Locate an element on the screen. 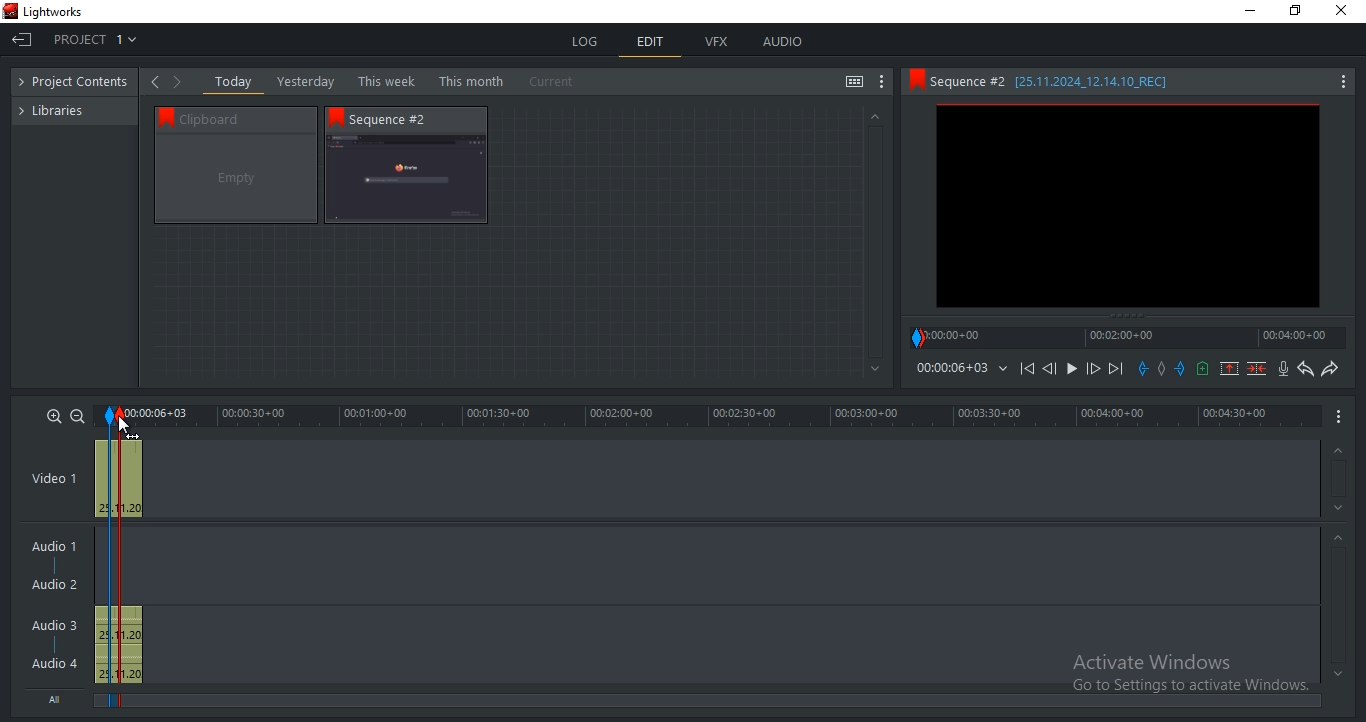  log is located at coordinates (587, 41).